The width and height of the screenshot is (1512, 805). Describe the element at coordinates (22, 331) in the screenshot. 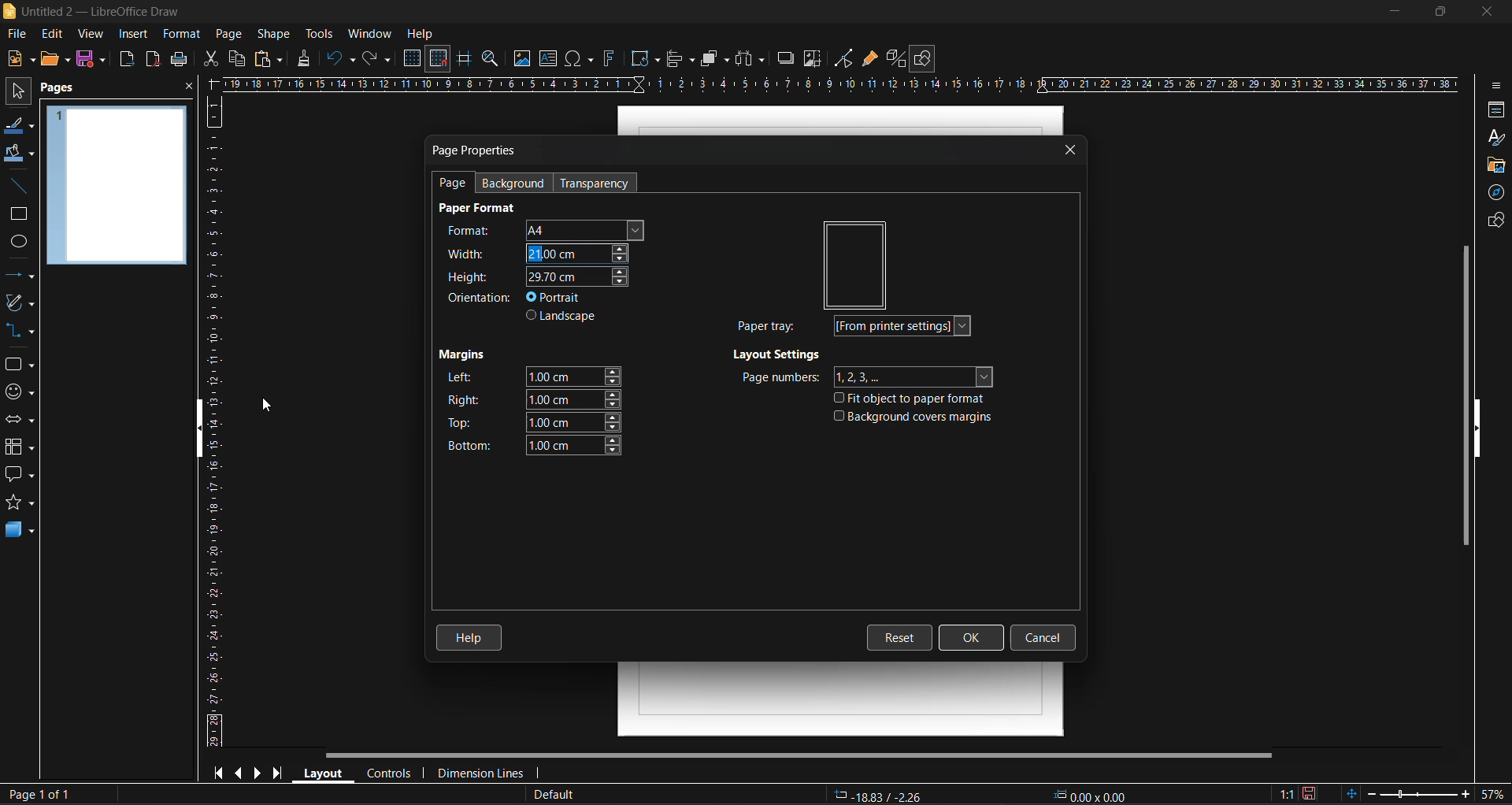

I see `connectors` at that location.